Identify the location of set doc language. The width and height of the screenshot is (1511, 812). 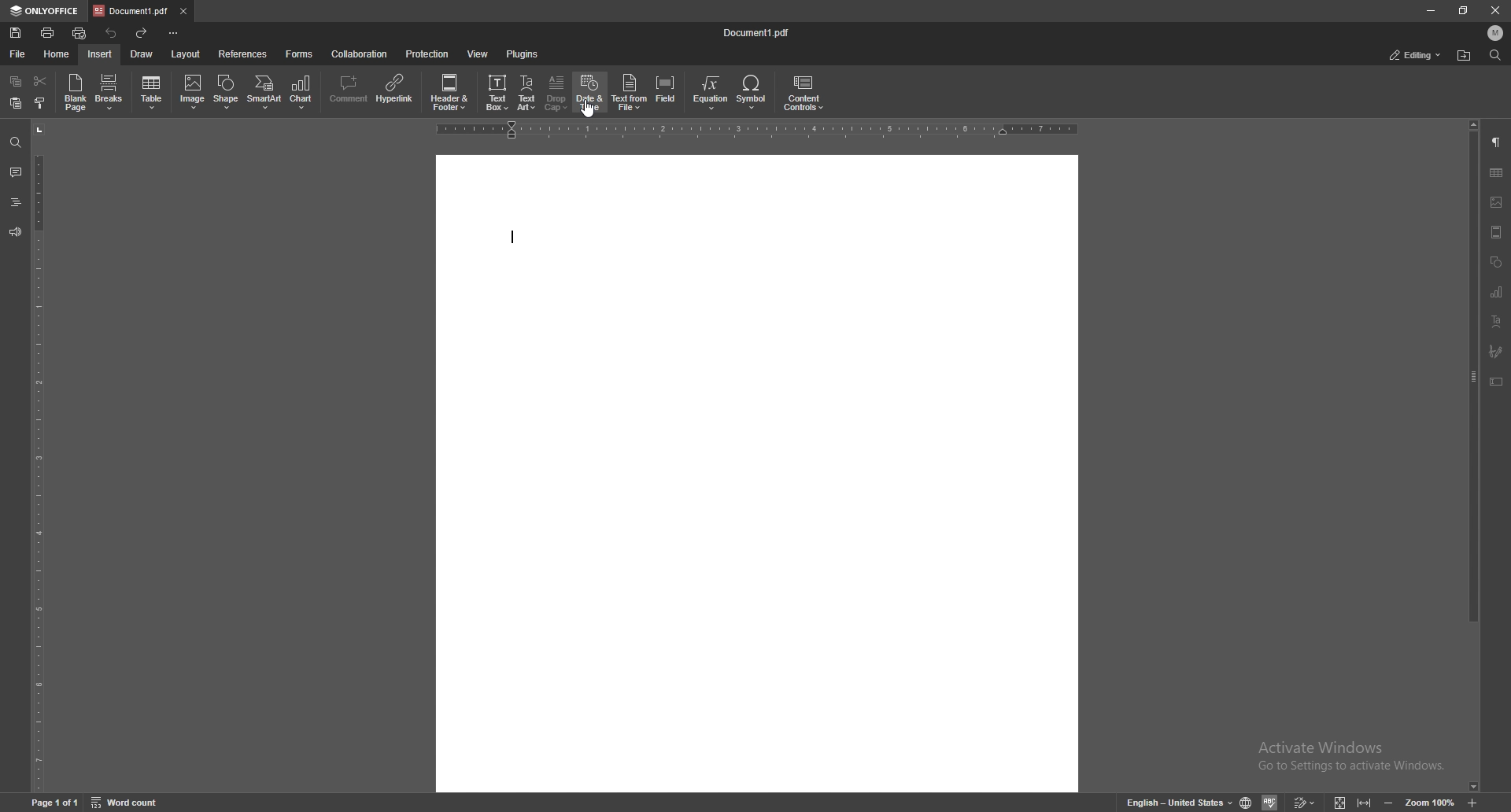
(1247, 802).